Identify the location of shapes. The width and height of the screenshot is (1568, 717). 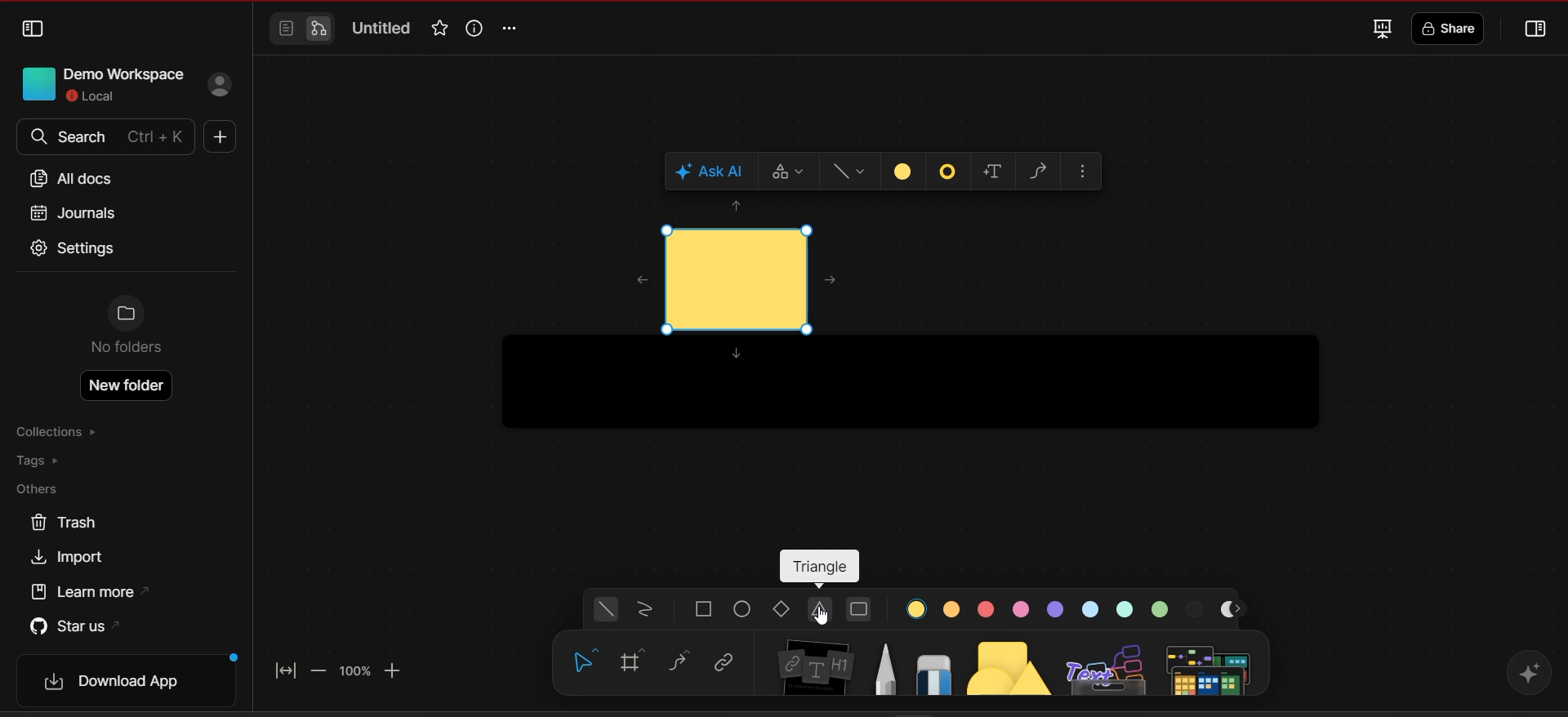
(1011, 664).